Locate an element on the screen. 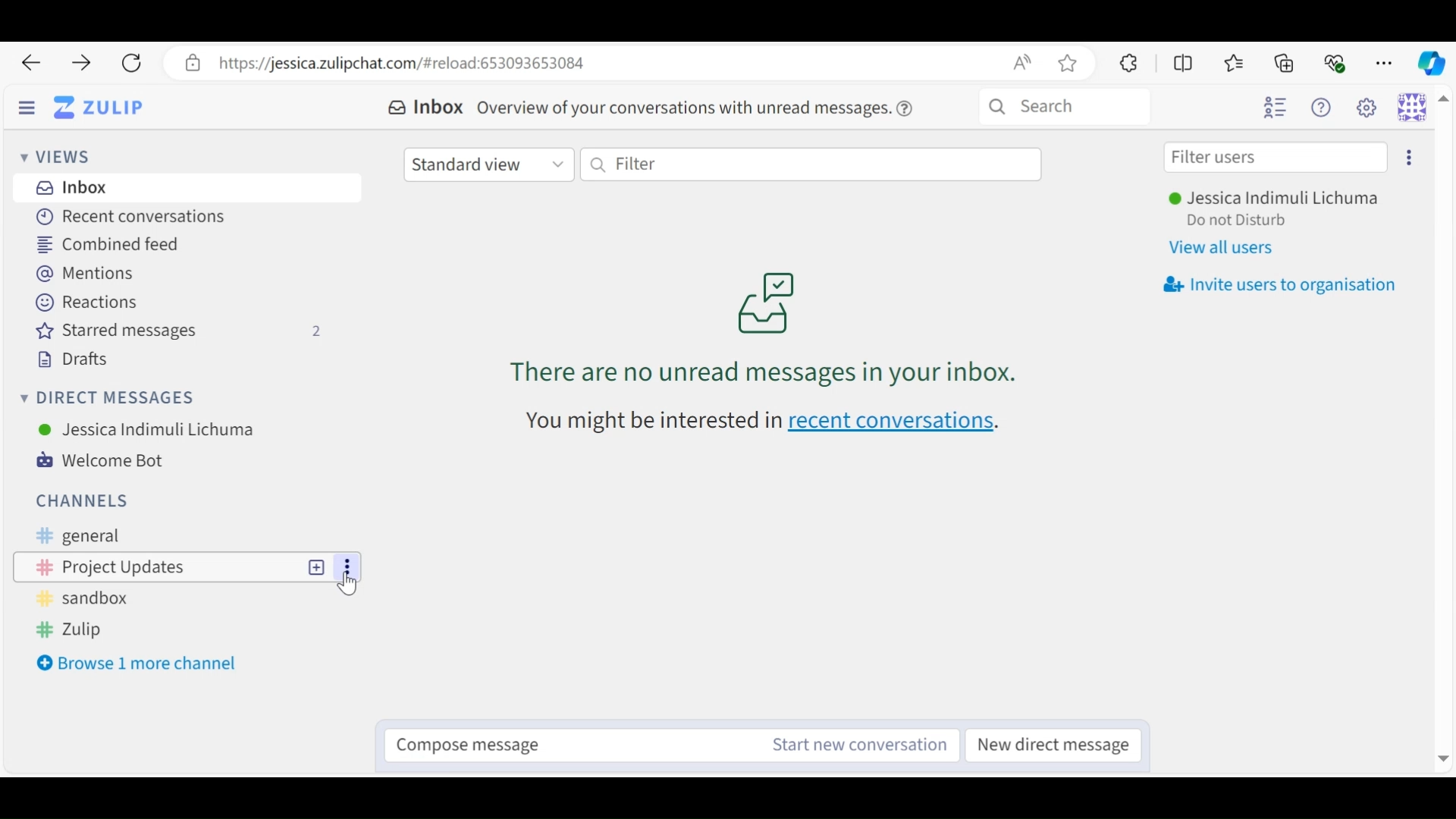 The height and width of the screenshot is (819, 1456). url is located at coordinates (227, 764).